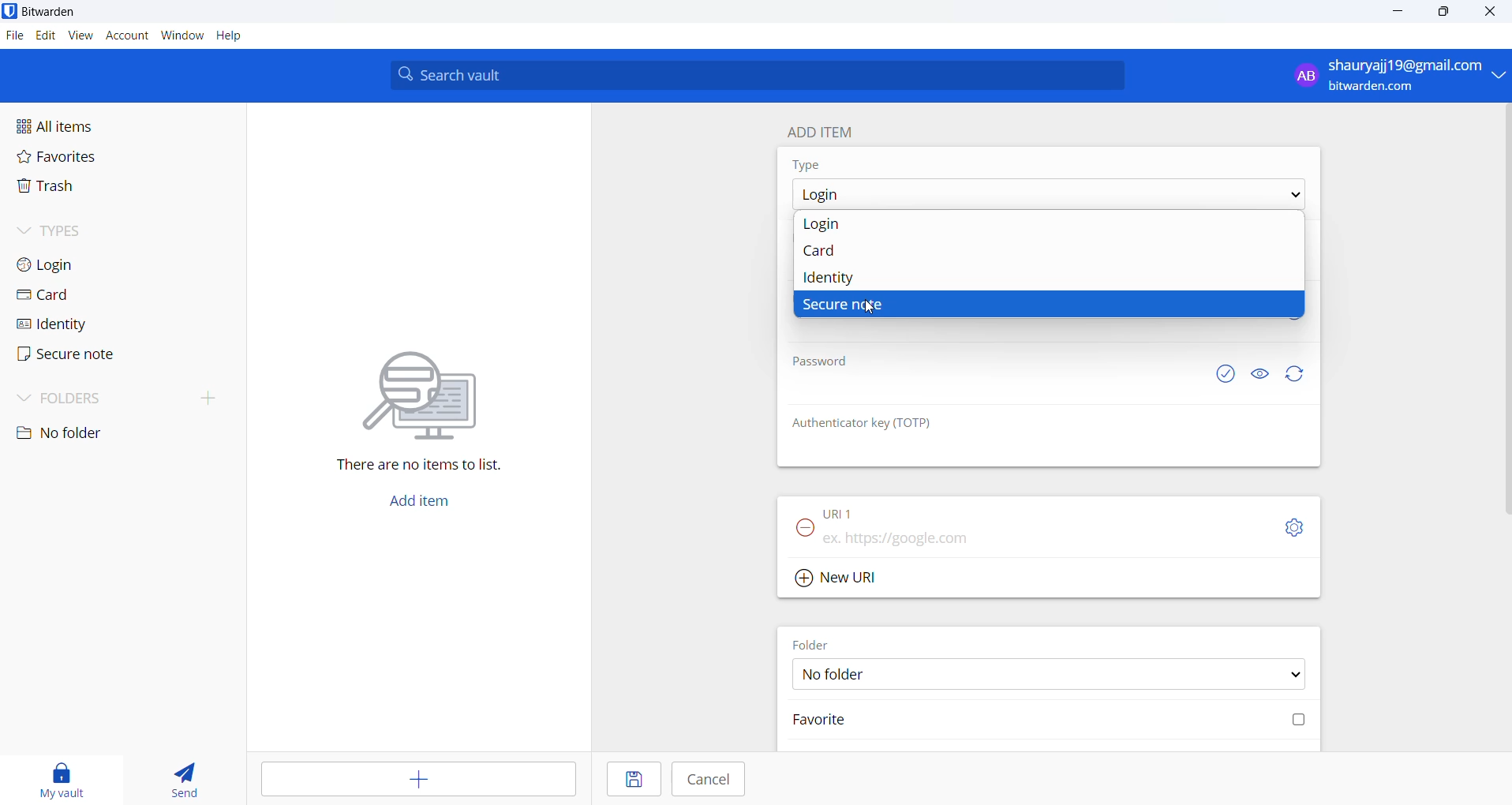 The height and width of the screenshot is (805, 1512). Describe the element at coordinates (1294, 531) in the screenshot. I see `settings` at that location.